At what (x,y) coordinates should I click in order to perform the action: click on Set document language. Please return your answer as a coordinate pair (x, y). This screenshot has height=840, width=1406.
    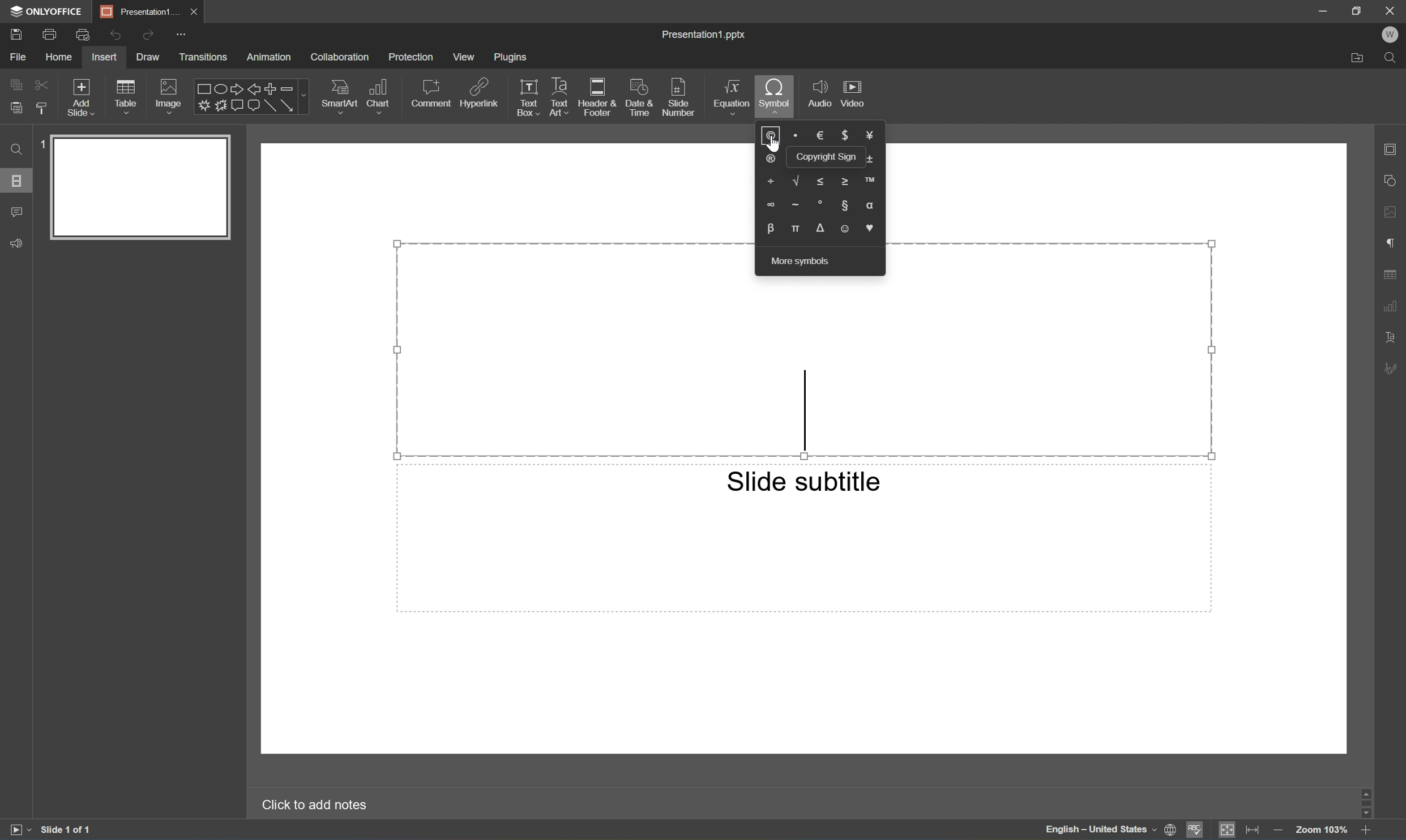
    Looking at the image, I should click on (1170, 830).